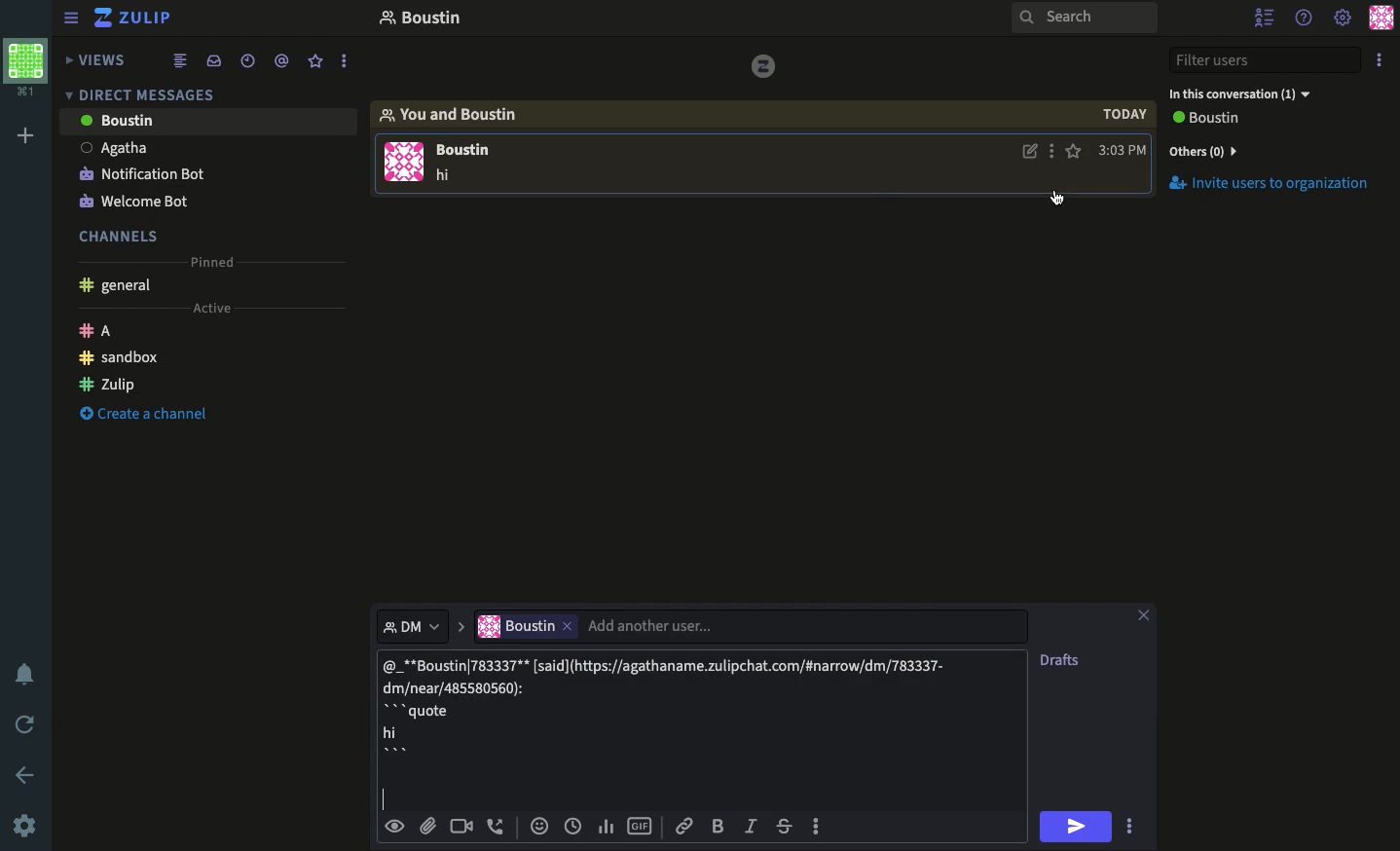  Describe the element at coordinates (1266, 17) in the screenshot. I see `Hide users list` at that location.